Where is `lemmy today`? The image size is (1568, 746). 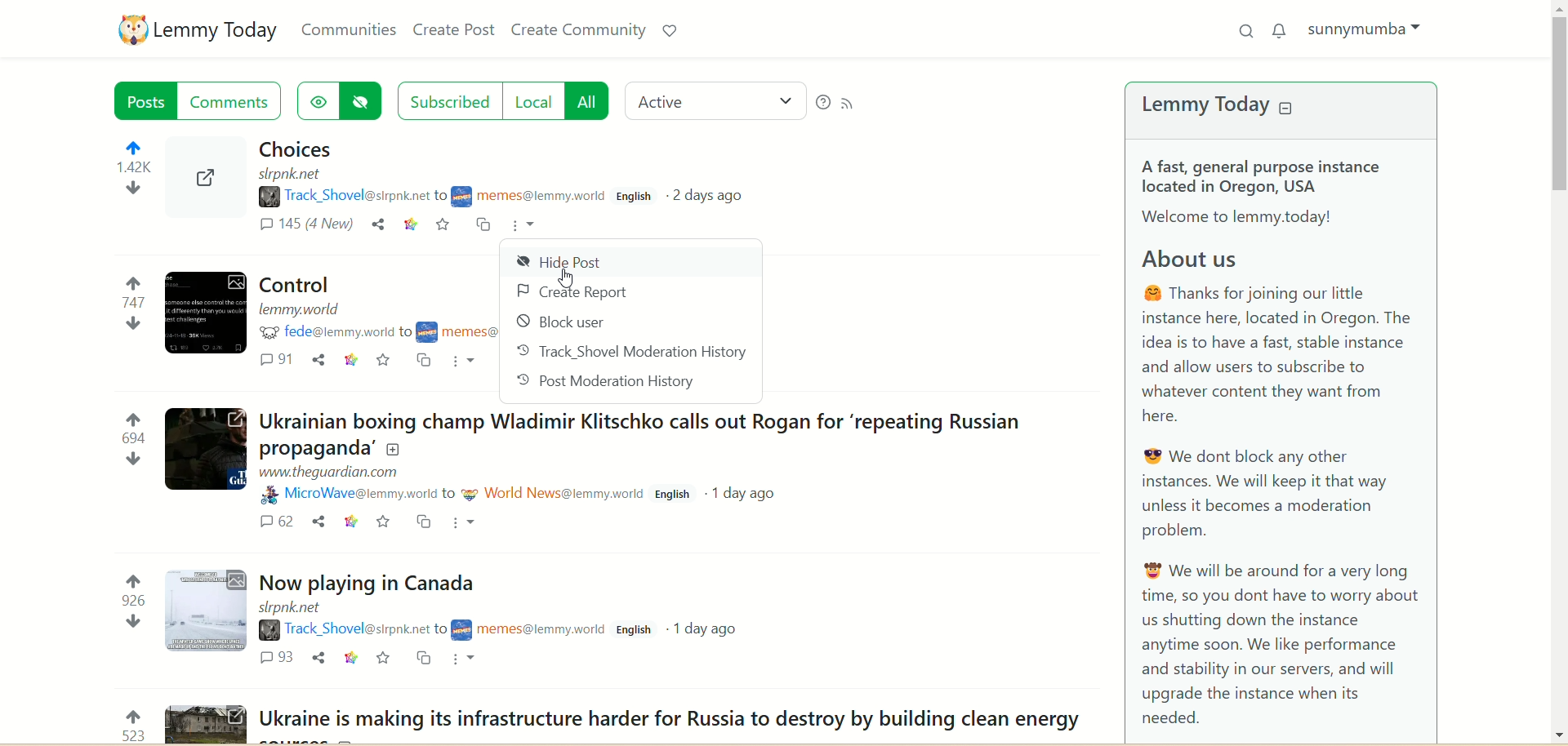 lemmy today is located at coordinates (1233, 108).